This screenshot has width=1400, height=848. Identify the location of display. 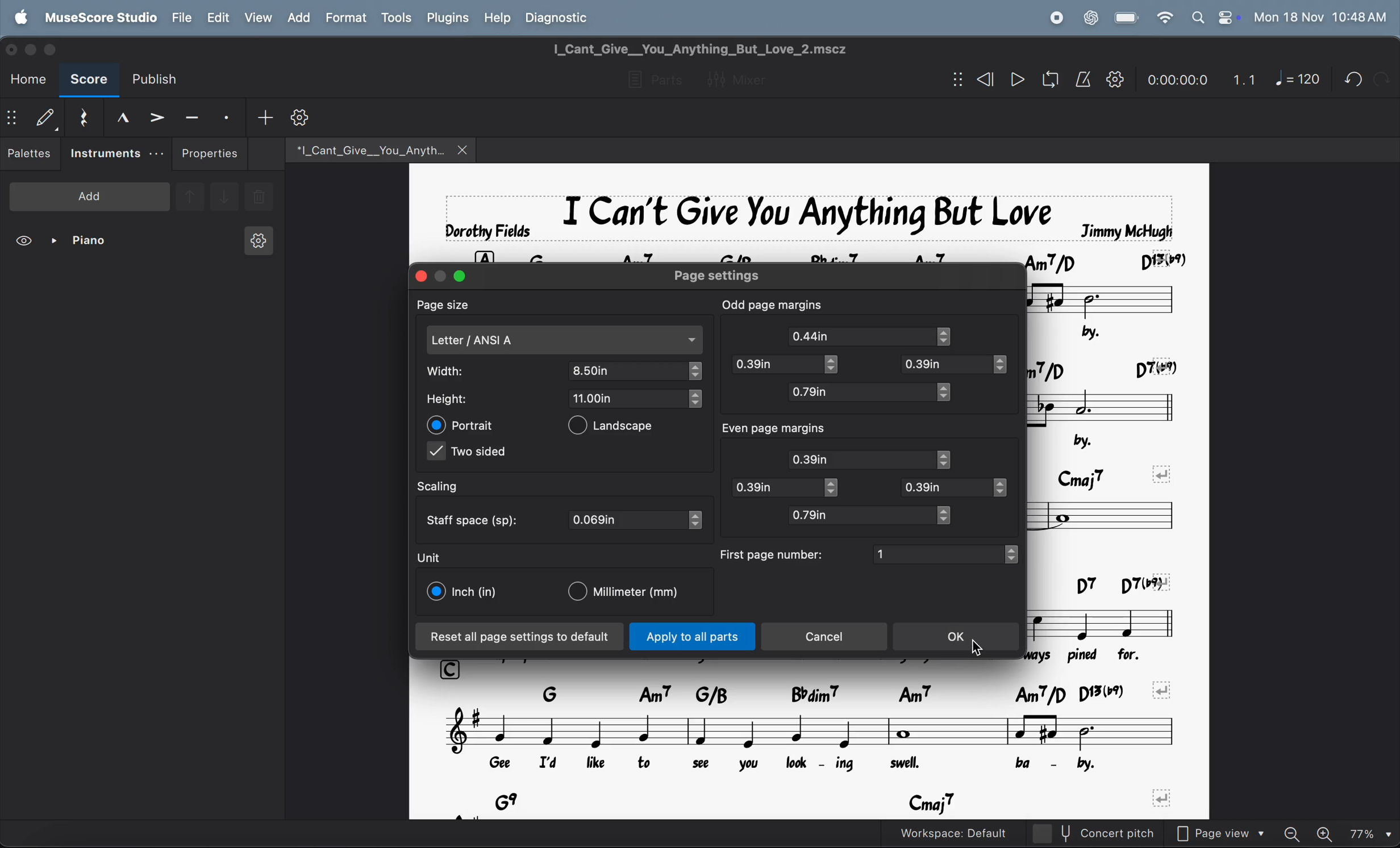
(45, 117).